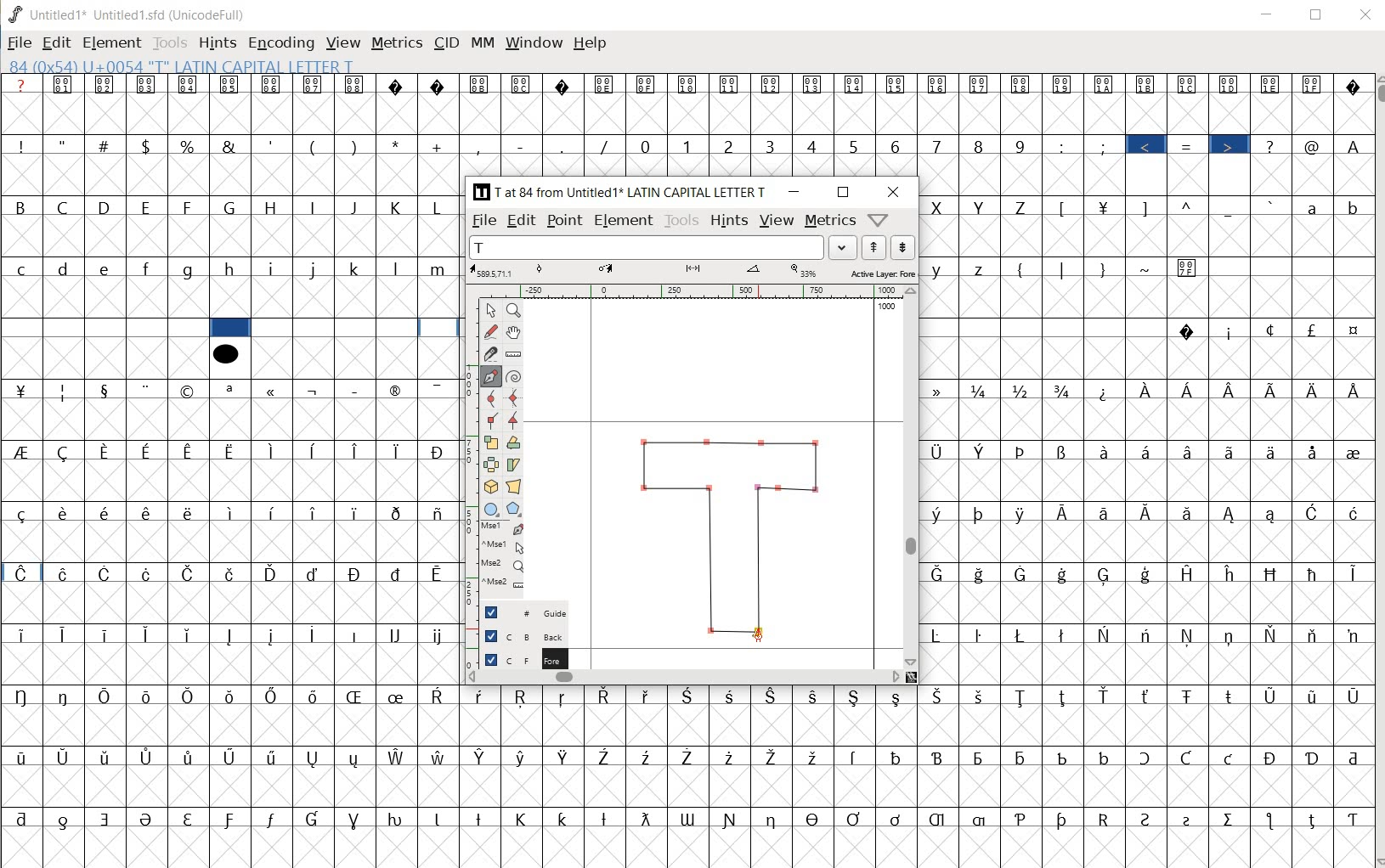 The height and width of the screenshot is (868, 1385). I want to click on Symbol, so click(358, 511).